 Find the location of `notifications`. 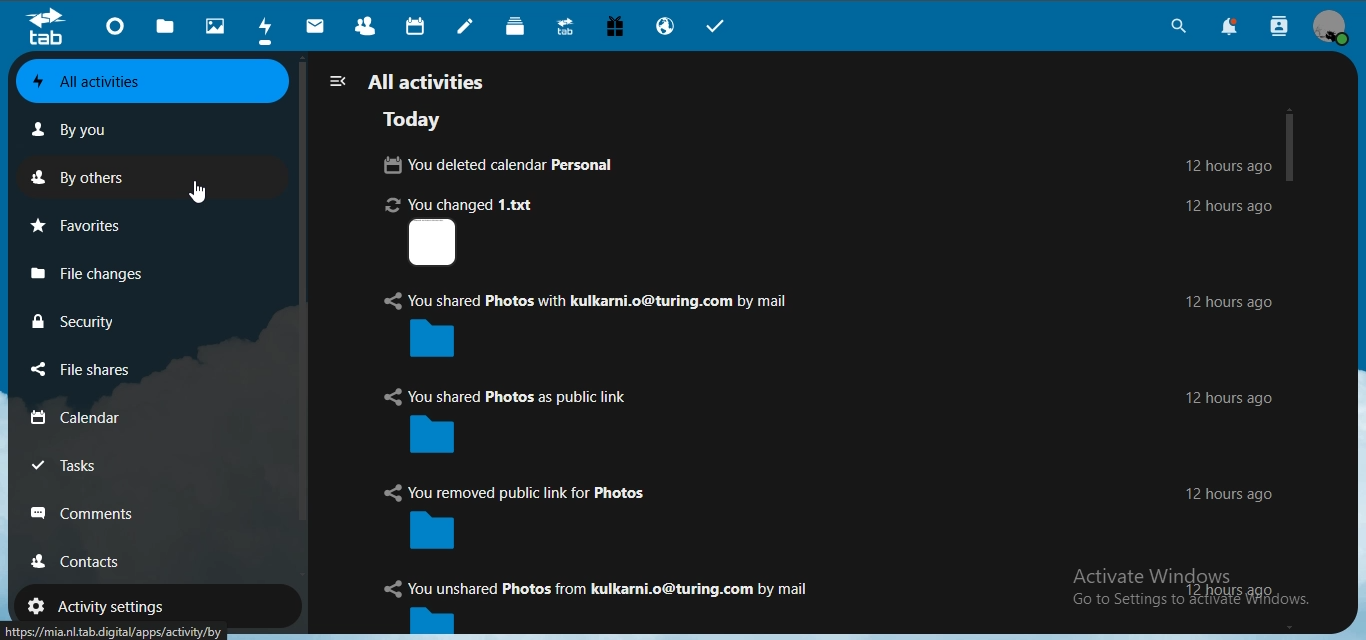

notifications is located at coordinates (1227, 27).